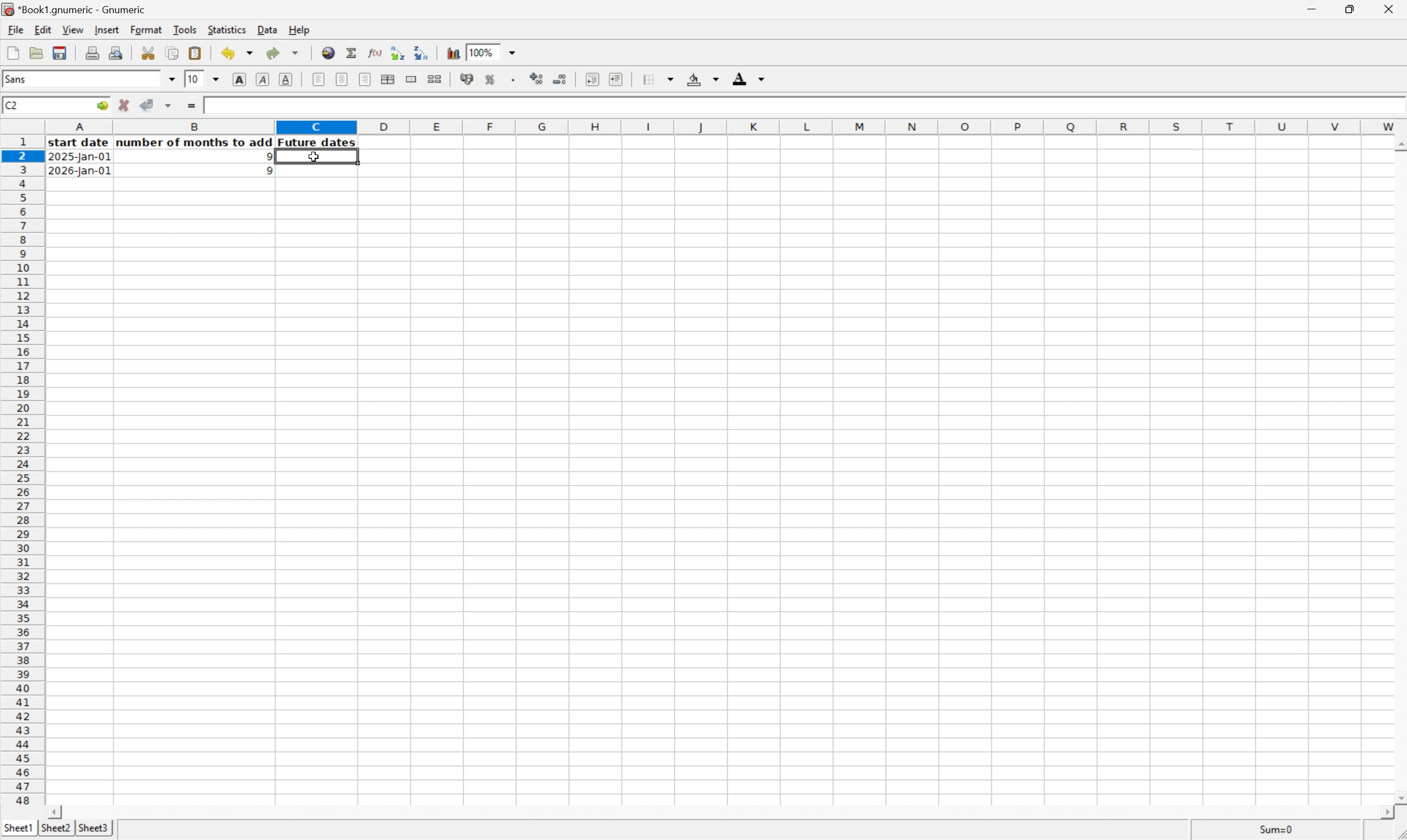 The width and height of the screenshot is (1407, 840). I want to click on start date, so click(230, 104).